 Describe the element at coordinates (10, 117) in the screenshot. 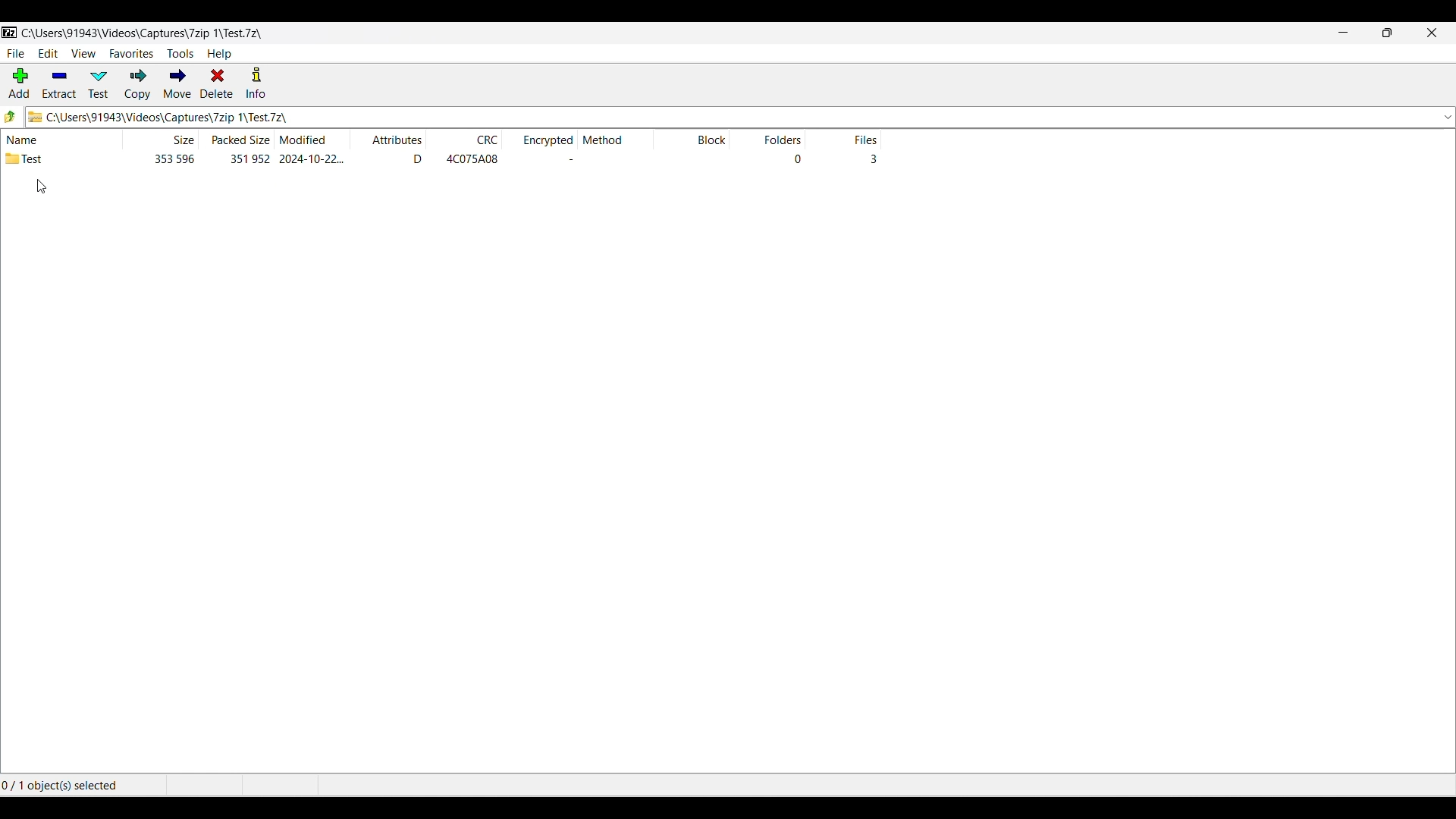

I see `Go back one folder` at that location.